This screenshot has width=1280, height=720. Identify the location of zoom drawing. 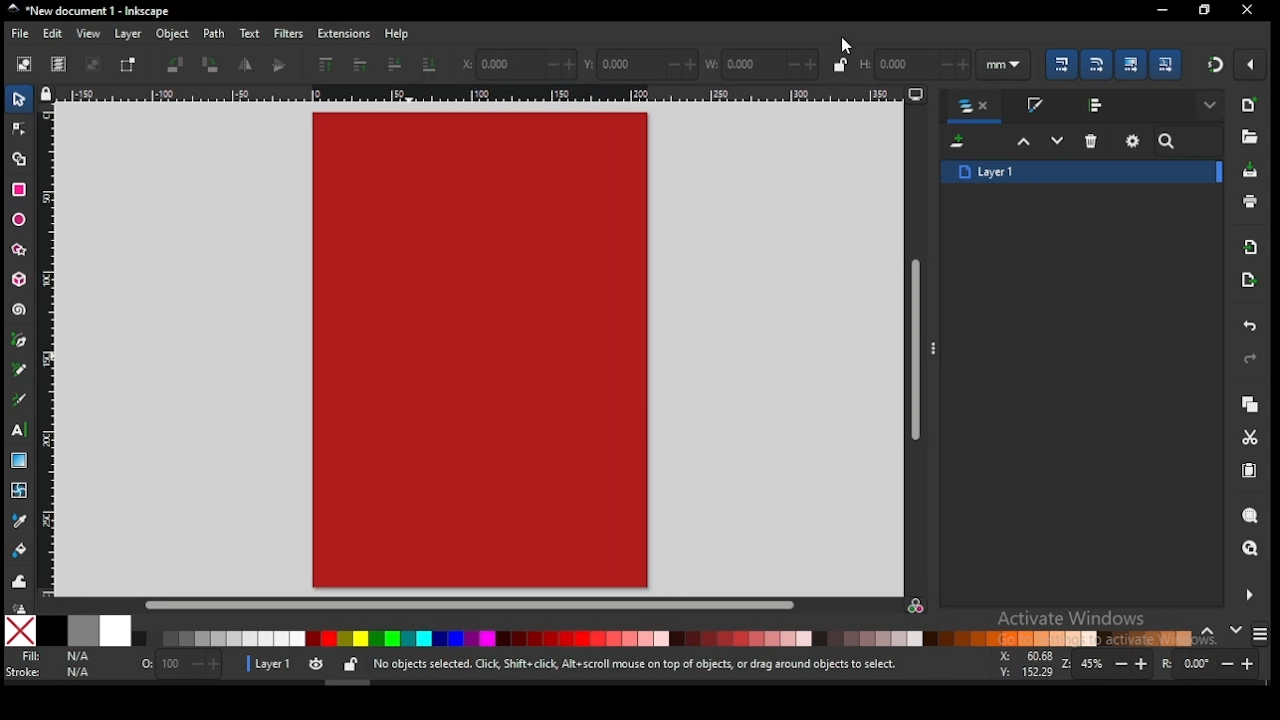
(1251, 550).